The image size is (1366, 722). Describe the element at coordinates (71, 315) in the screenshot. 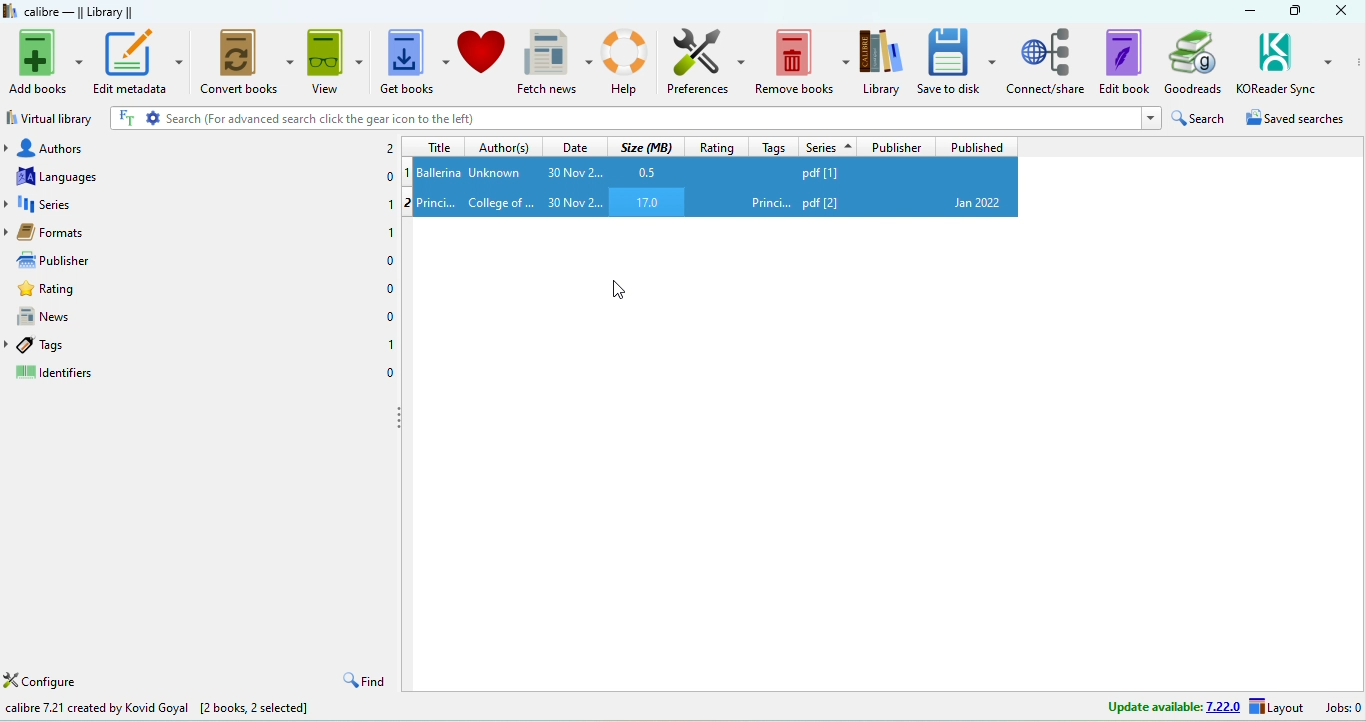

I see `news` at that location.